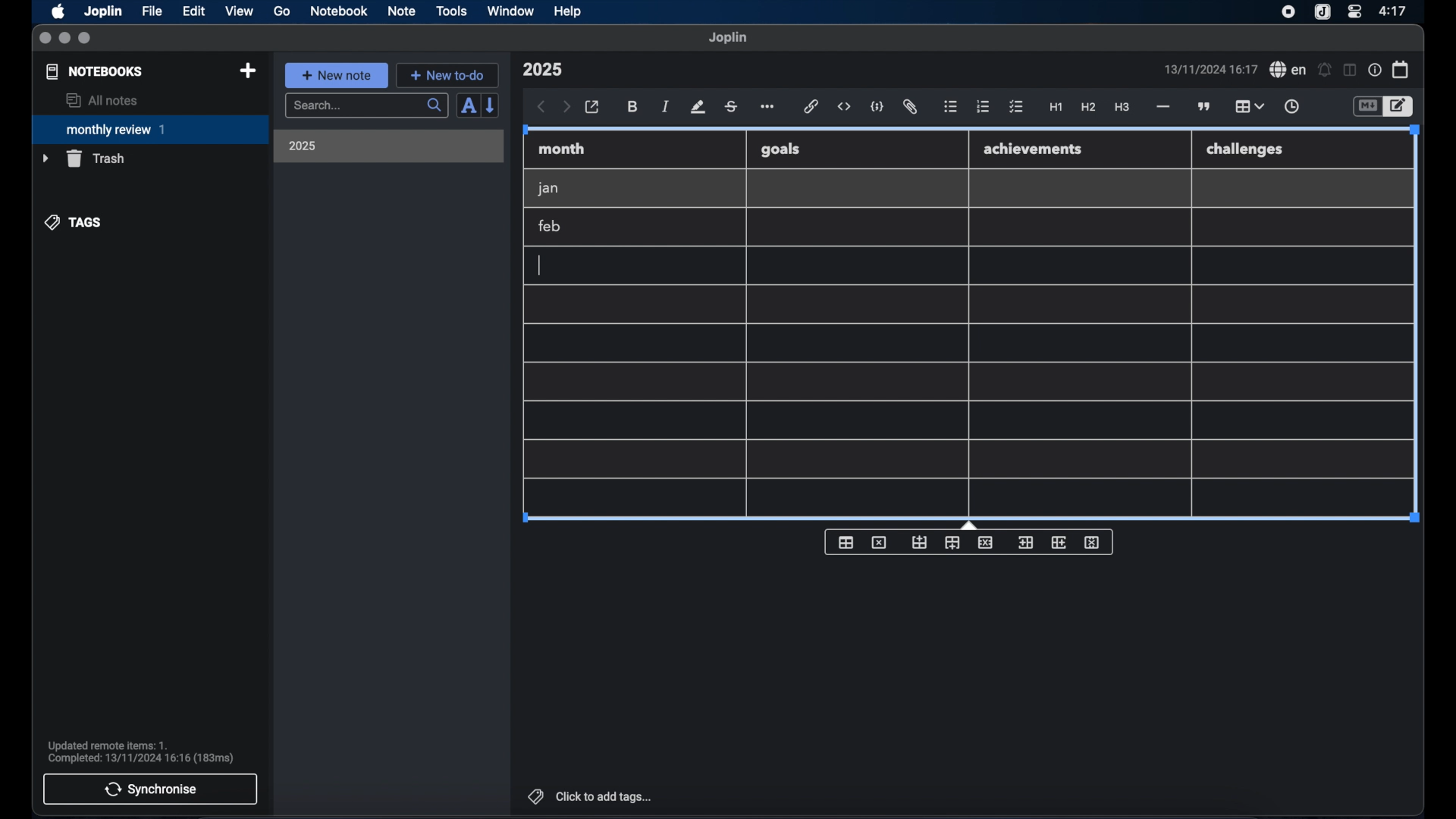 The width and height of the screenshot is (1456, 819). I want to click on go, so click(282, 11).